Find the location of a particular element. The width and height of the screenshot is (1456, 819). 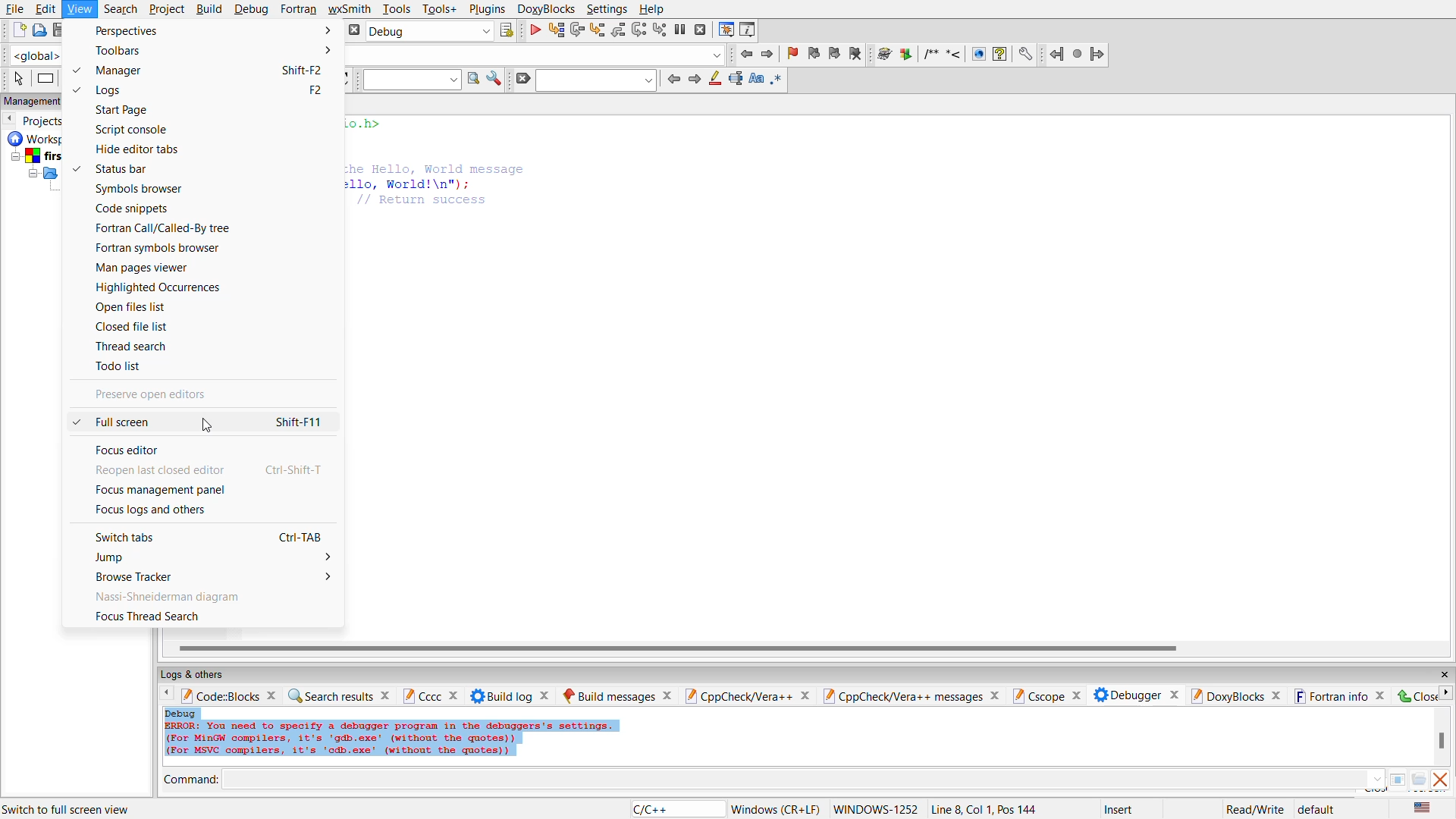

toggle bookmarks is located at coordinates (794, 55).